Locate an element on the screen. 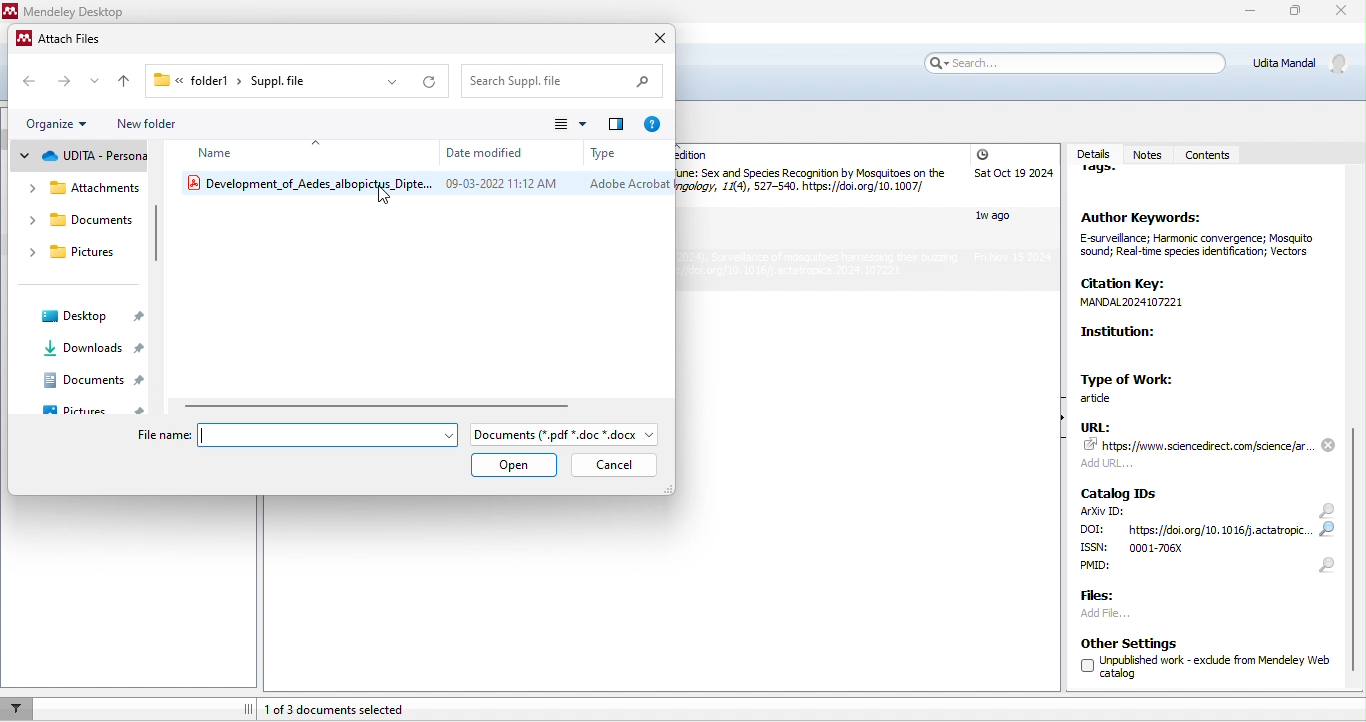 The width and height of the screenshot is (1366, 722). added date is located at coordinates (1012, 207).